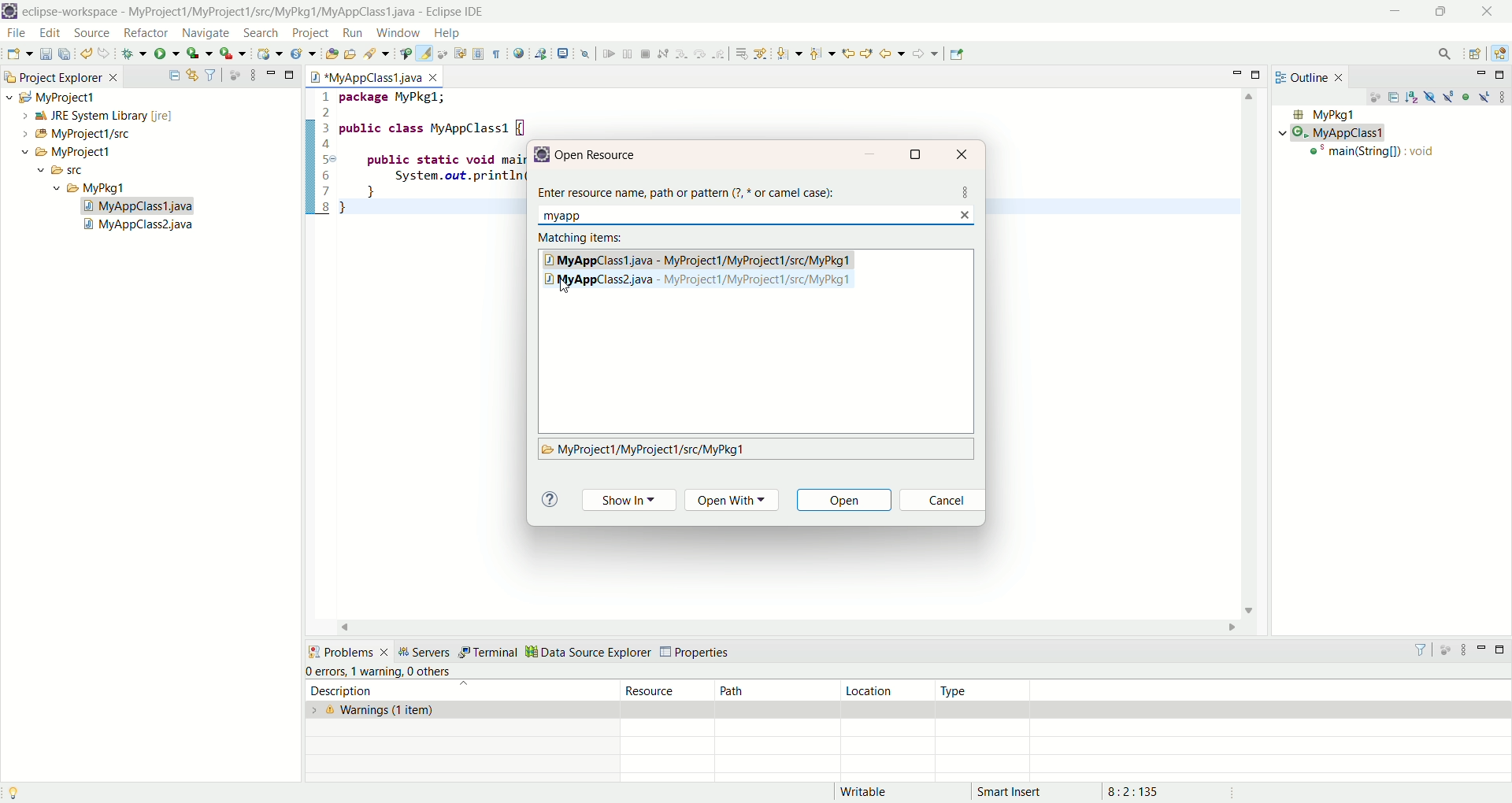 Image resolution: width=1512 pixels, height=803 pixels. I want to click on main string, so click(1376, 154).